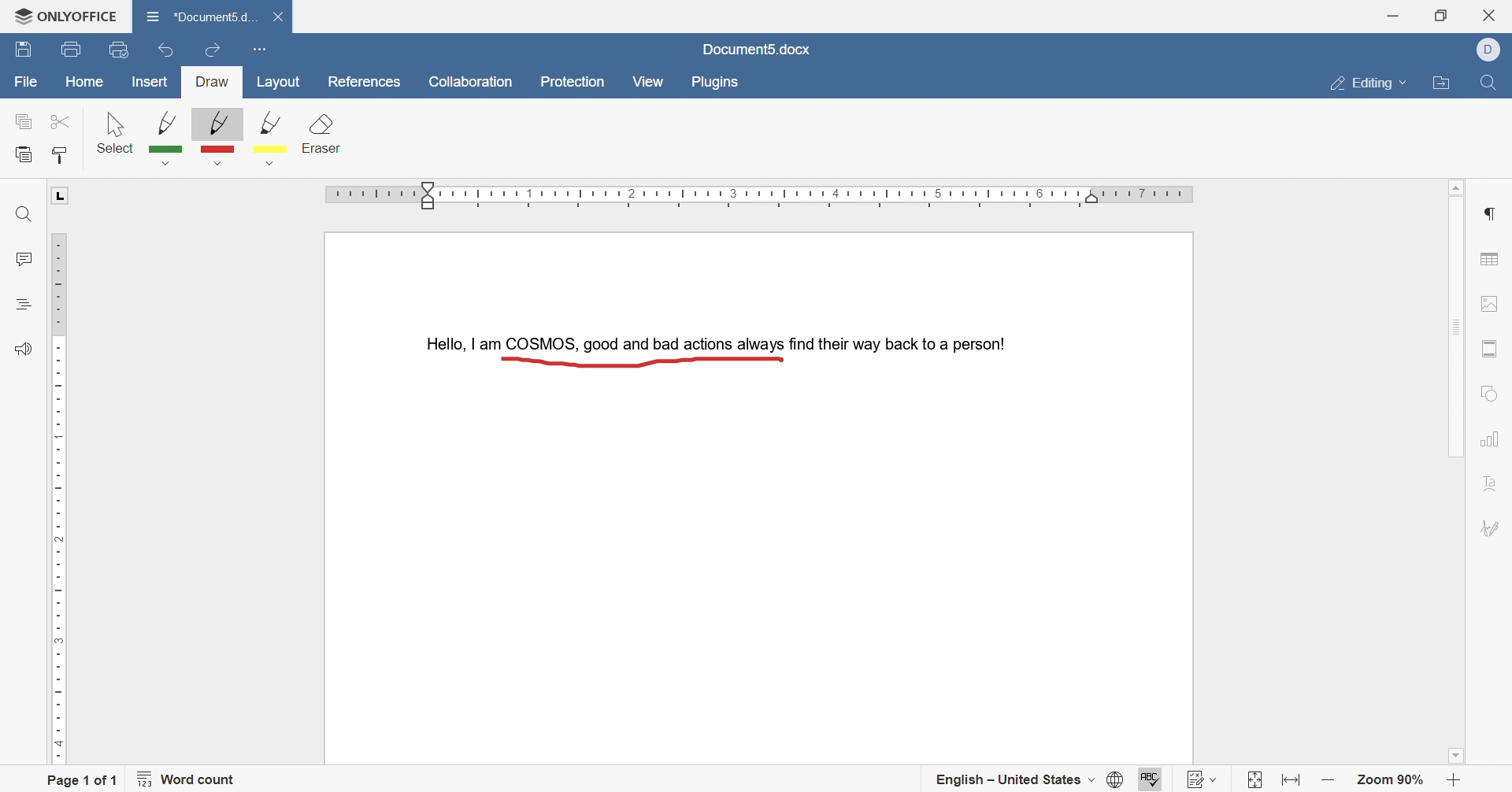  I want to click on open file location, so click(1444, 85).